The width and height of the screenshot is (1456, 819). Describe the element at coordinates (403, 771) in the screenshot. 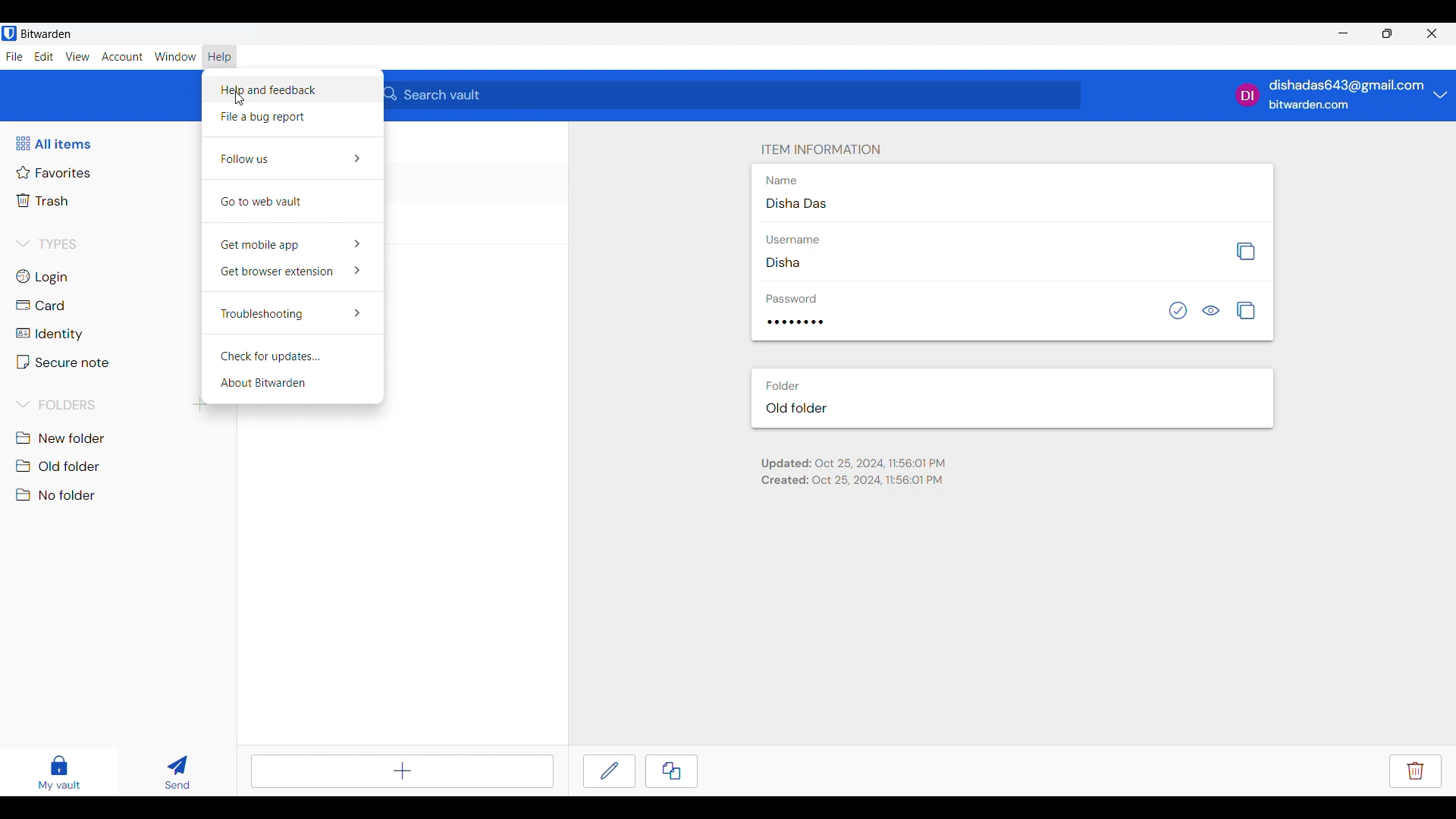

I see `Add item` at that location.